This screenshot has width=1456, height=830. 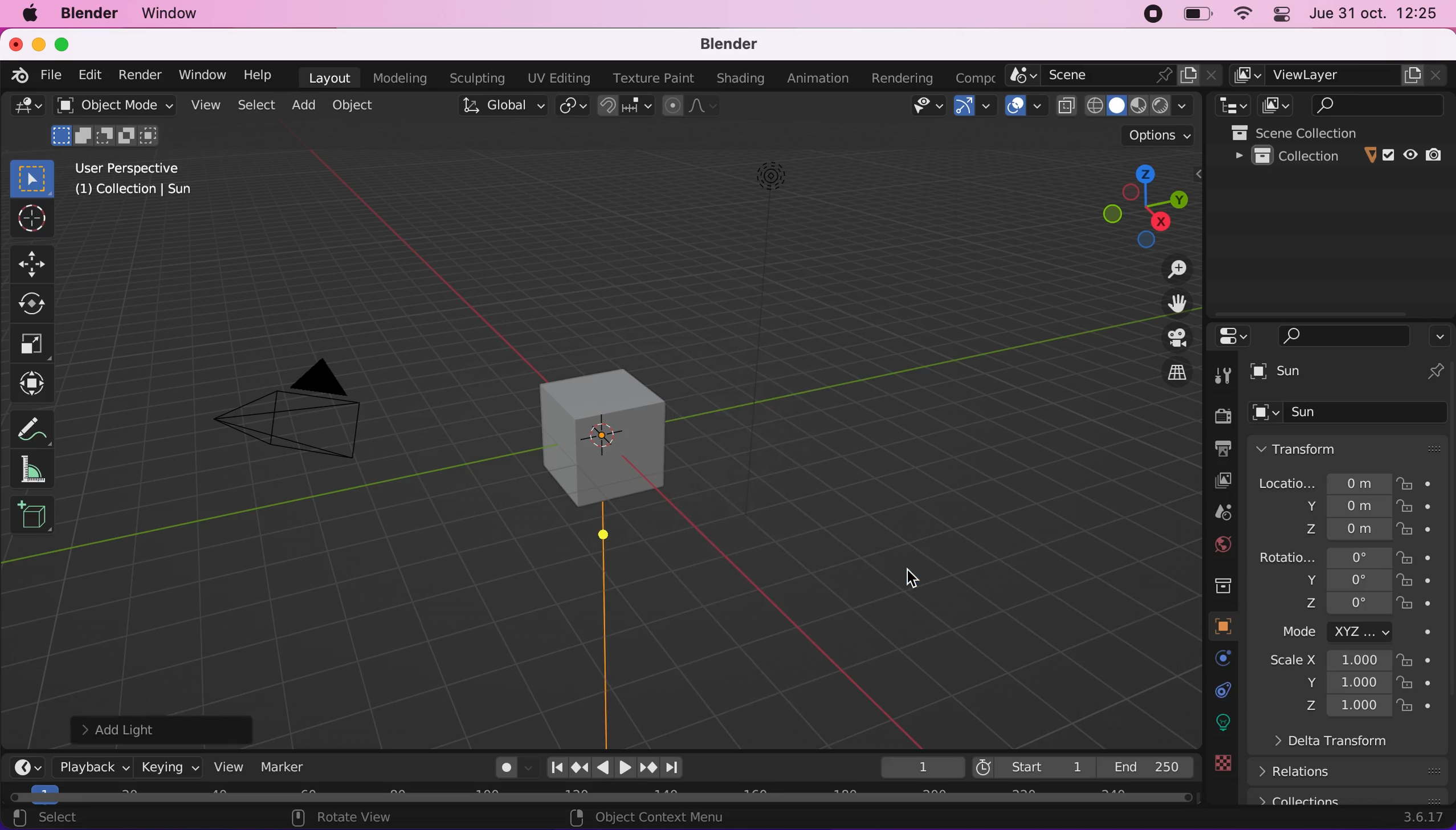 I want to click on light, so click(x=765, y=192).